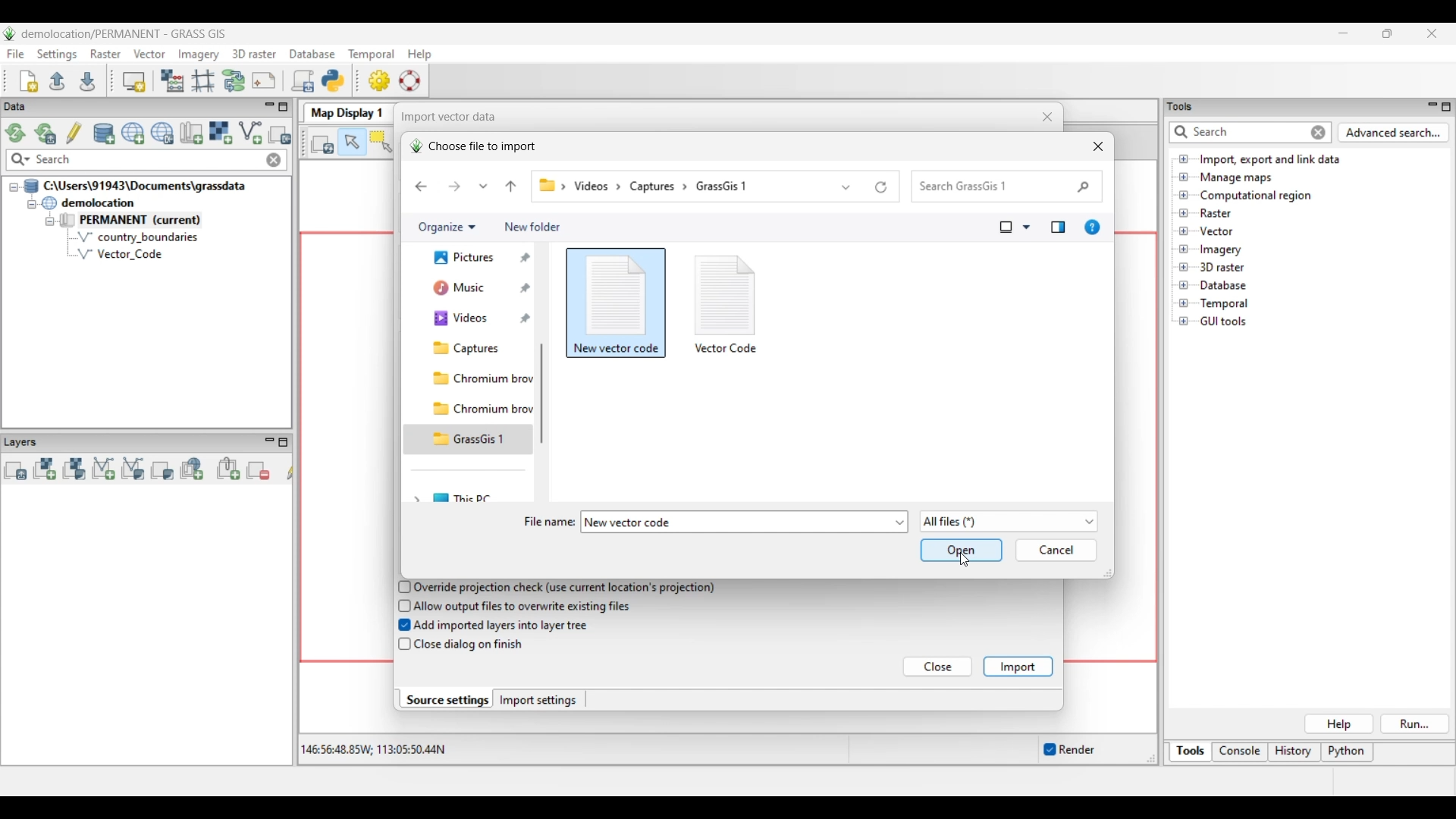 The image size is (1456, 819). What do you see at coordinates (264, 81) in the screenshot?
I see `Cartographic composer` at bounding box center [264, 81].